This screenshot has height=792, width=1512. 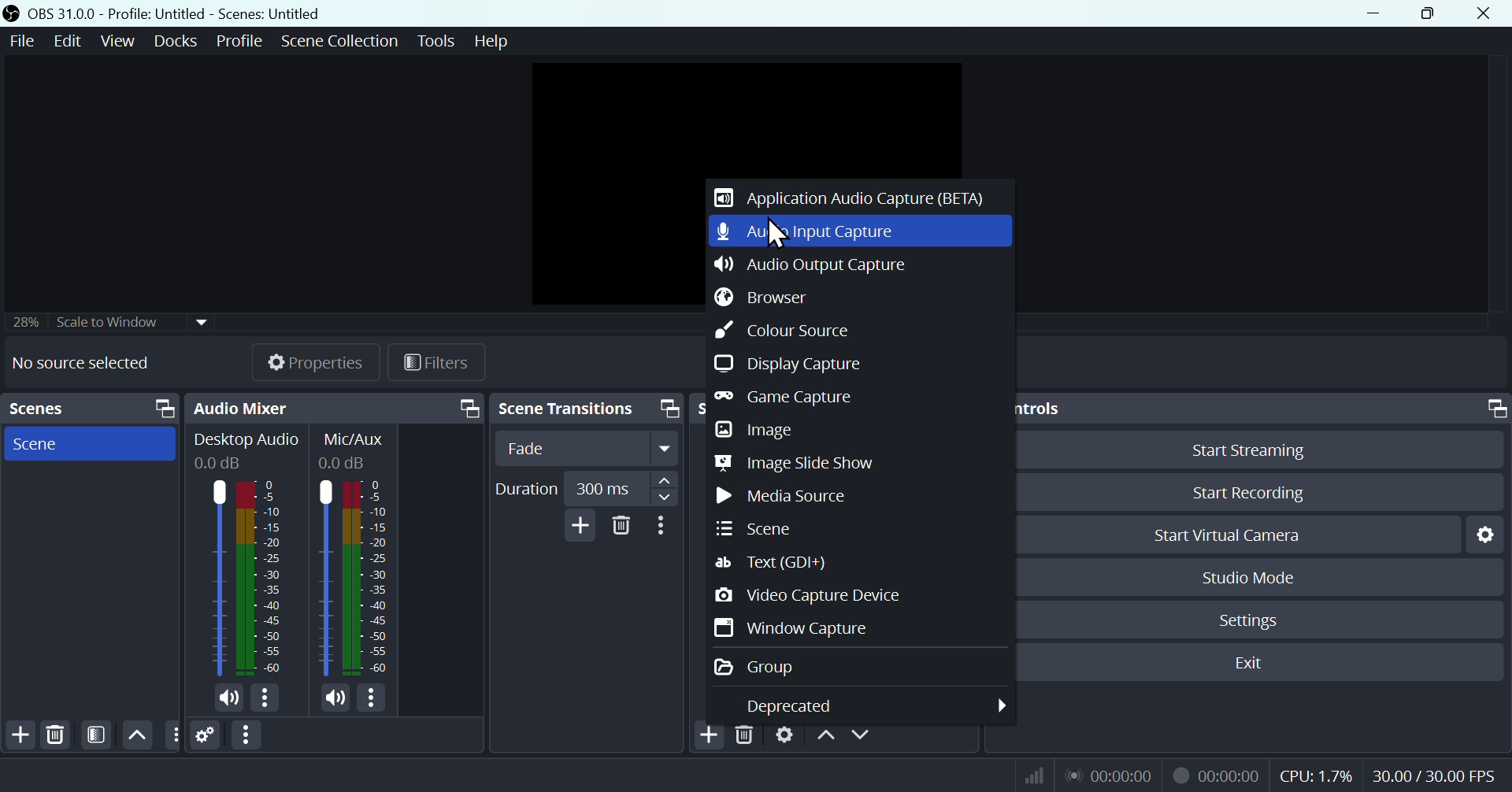 I want to click on Restore, so click(x=1432, y=13).